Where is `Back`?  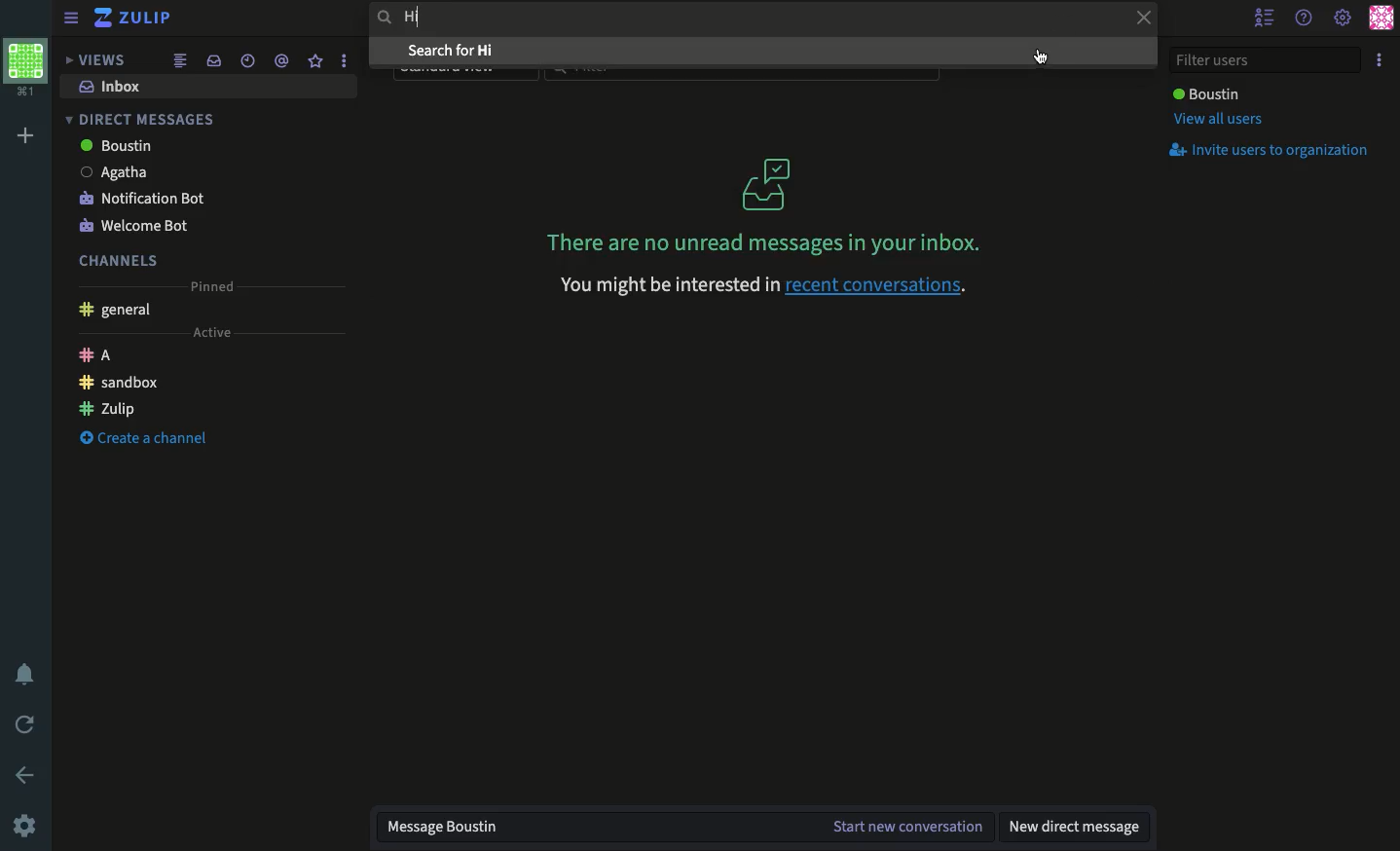
Back is located at coordinates (27, 774).